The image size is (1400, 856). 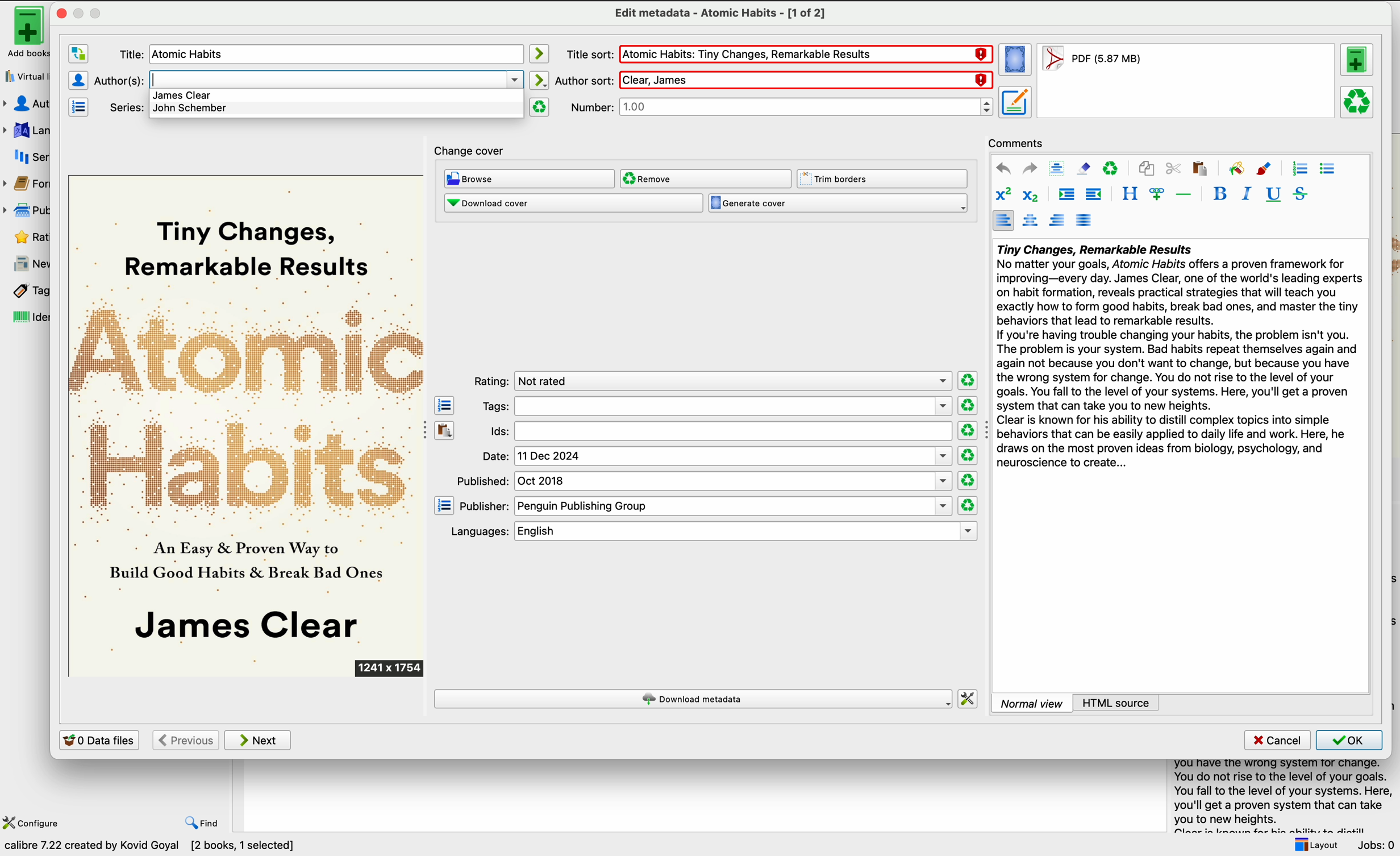 I want to click on languages: english, so click(x=709, y=531).